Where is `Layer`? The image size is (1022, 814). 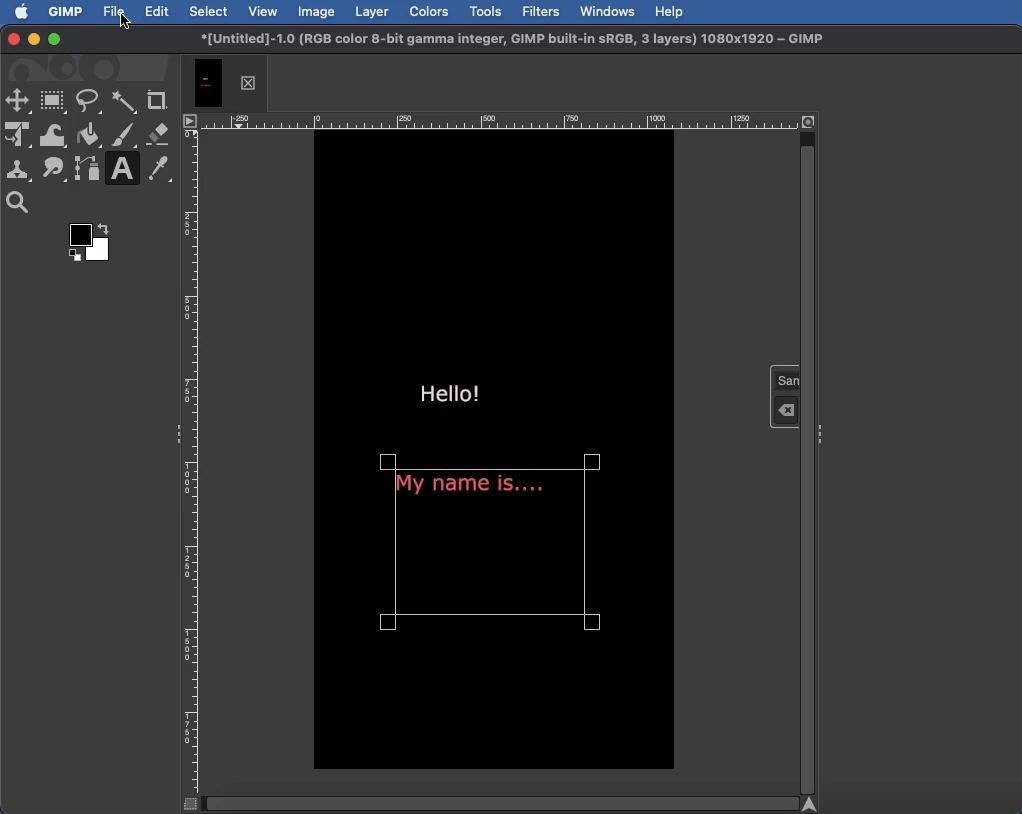 Layer is located at coordinates (373, 10).